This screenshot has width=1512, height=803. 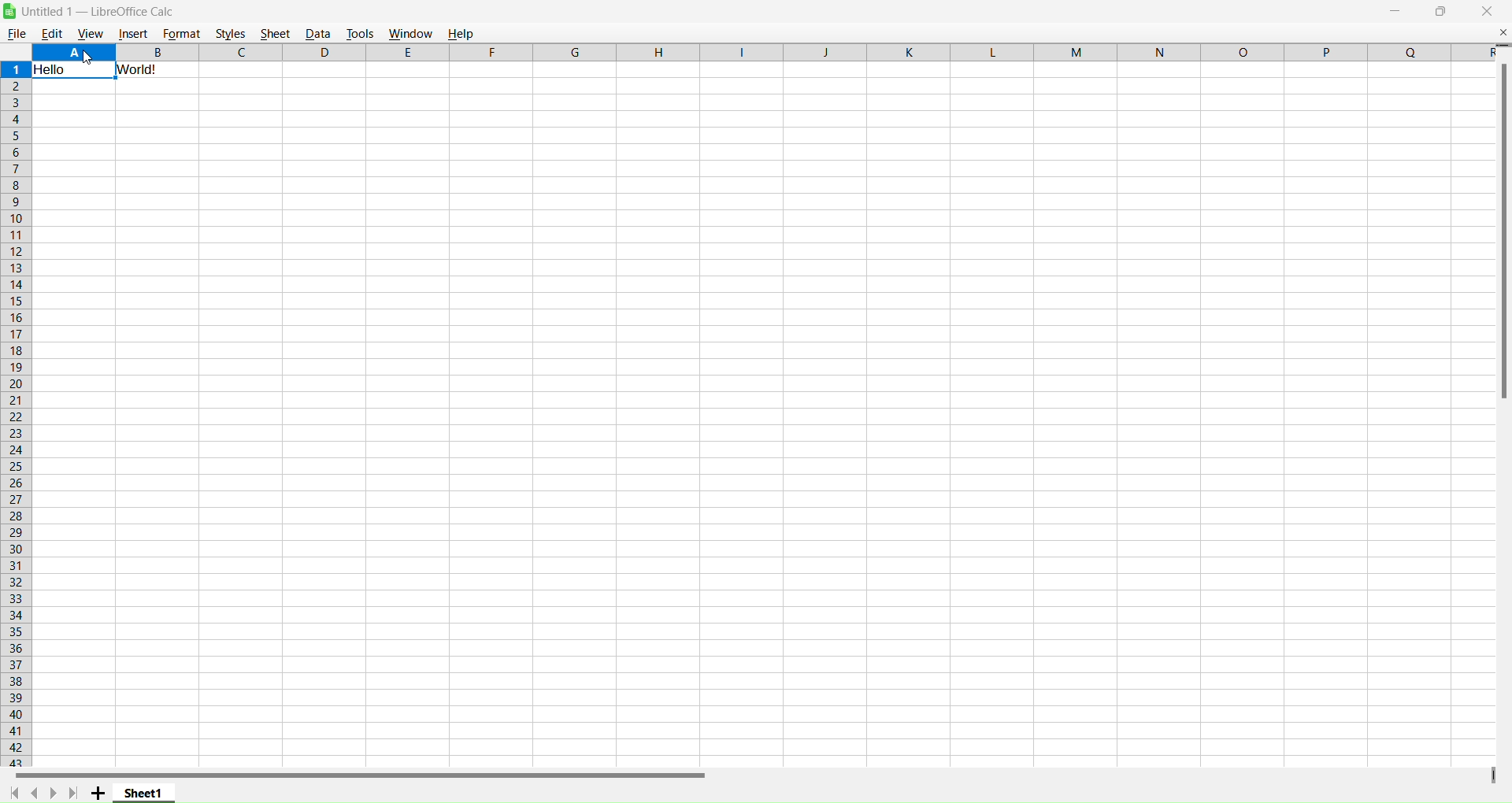 What do you see at coordinates (317, 33) in the screenshot?
I see `Data` at bounding box center [317, 33].